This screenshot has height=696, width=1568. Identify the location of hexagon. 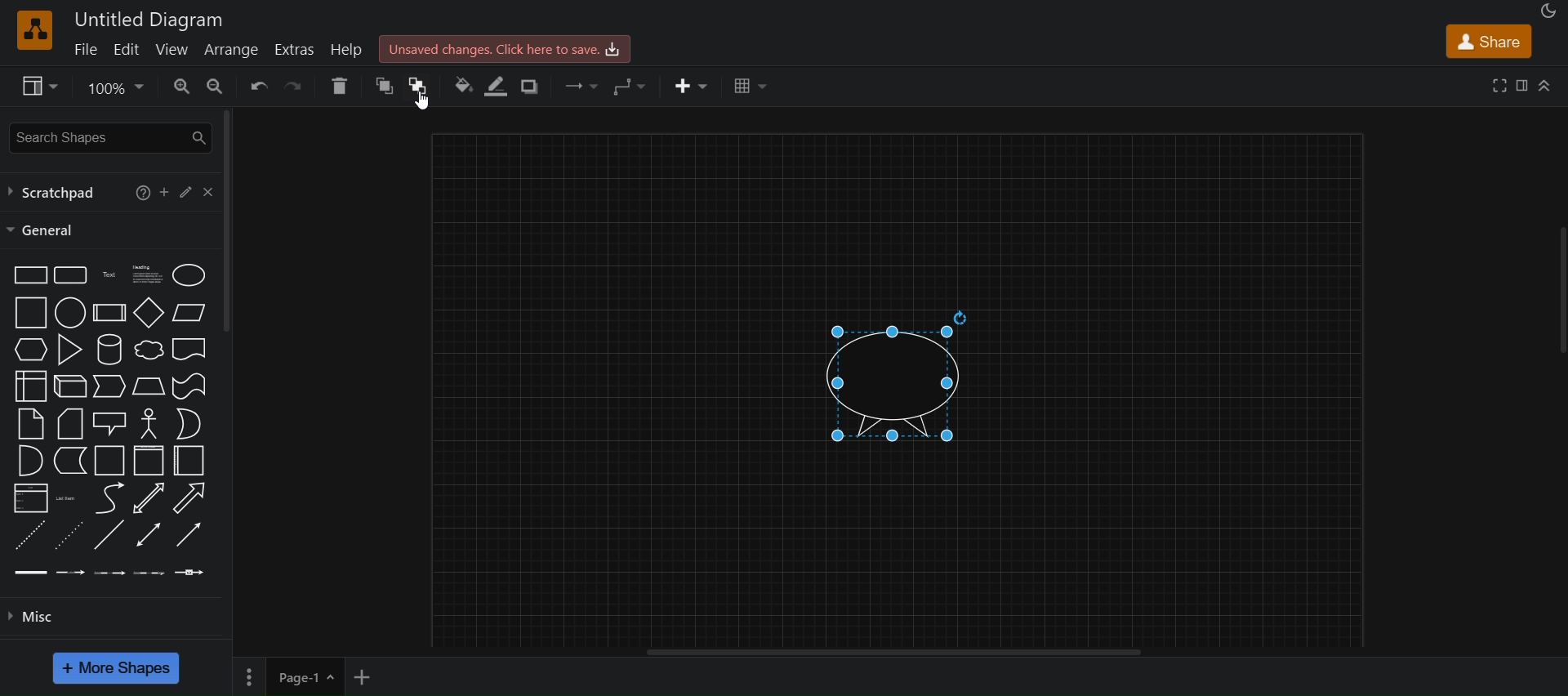
(32, 348).